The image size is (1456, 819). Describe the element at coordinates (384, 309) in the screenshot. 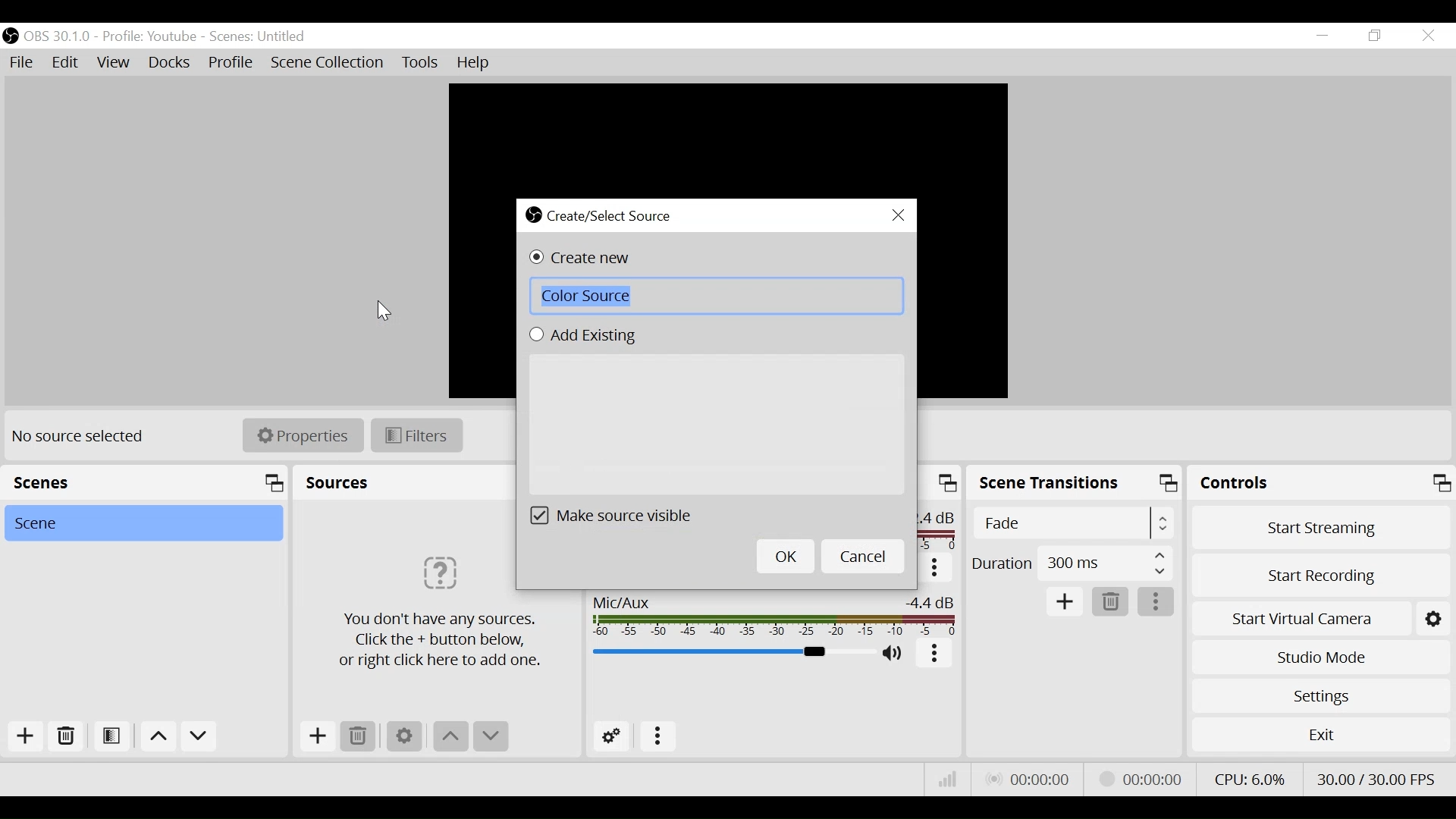

I see `Cursor` at that location.